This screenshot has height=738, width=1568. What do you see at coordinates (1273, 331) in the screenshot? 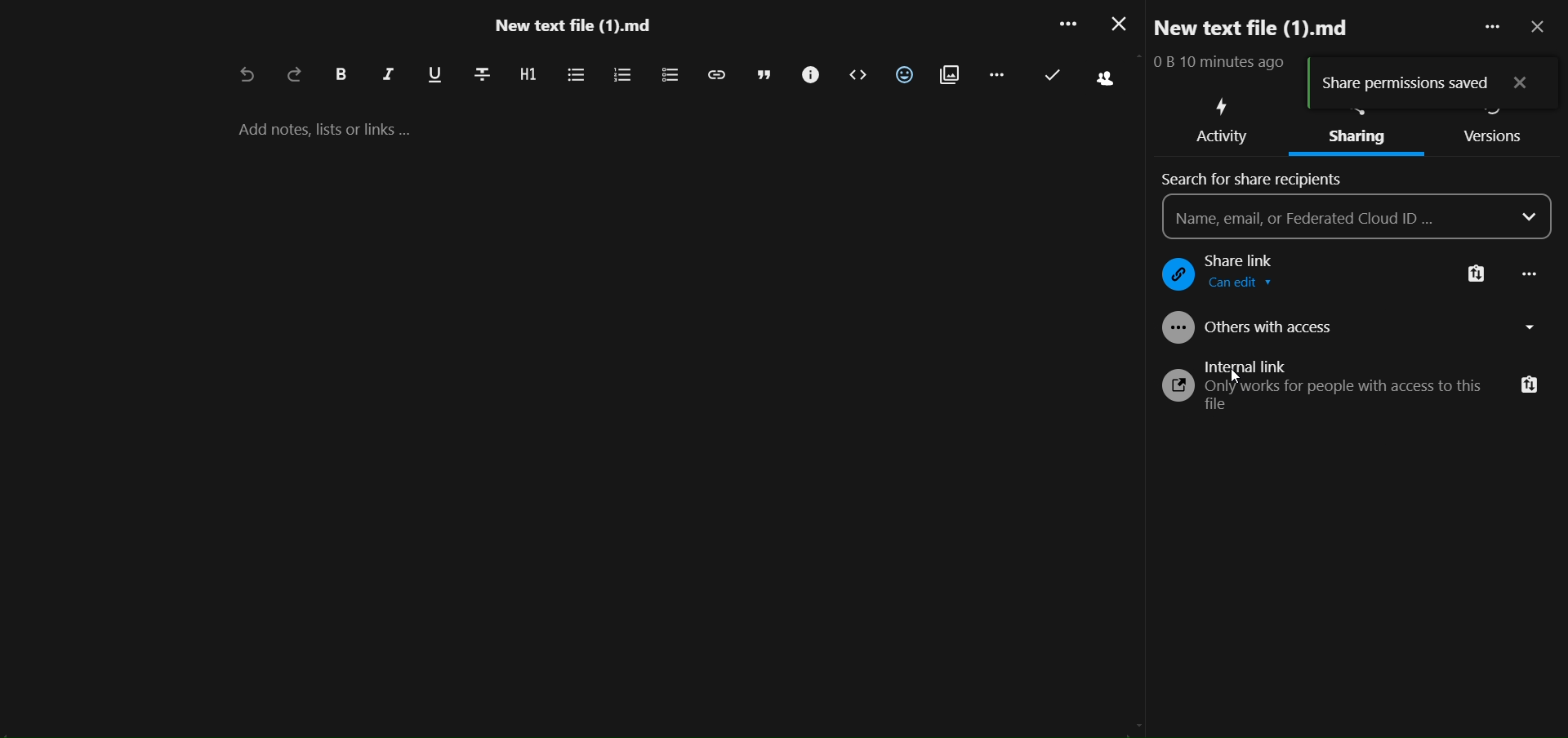
I see `offers with access` at bounding box center [1273, 331].